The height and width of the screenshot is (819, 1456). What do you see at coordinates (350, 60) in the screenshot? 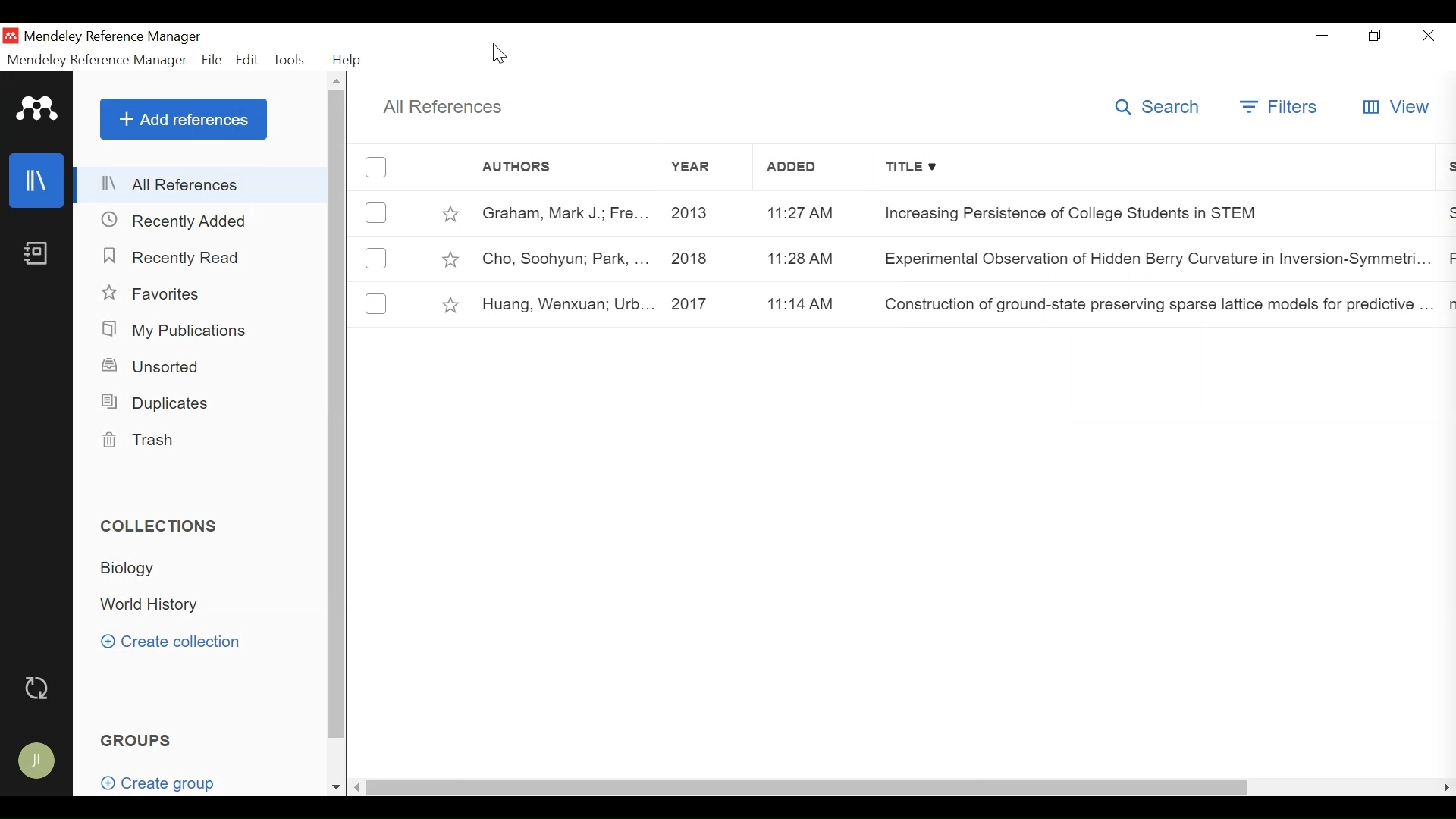
I see `Help` at bounding box center [350, 60].